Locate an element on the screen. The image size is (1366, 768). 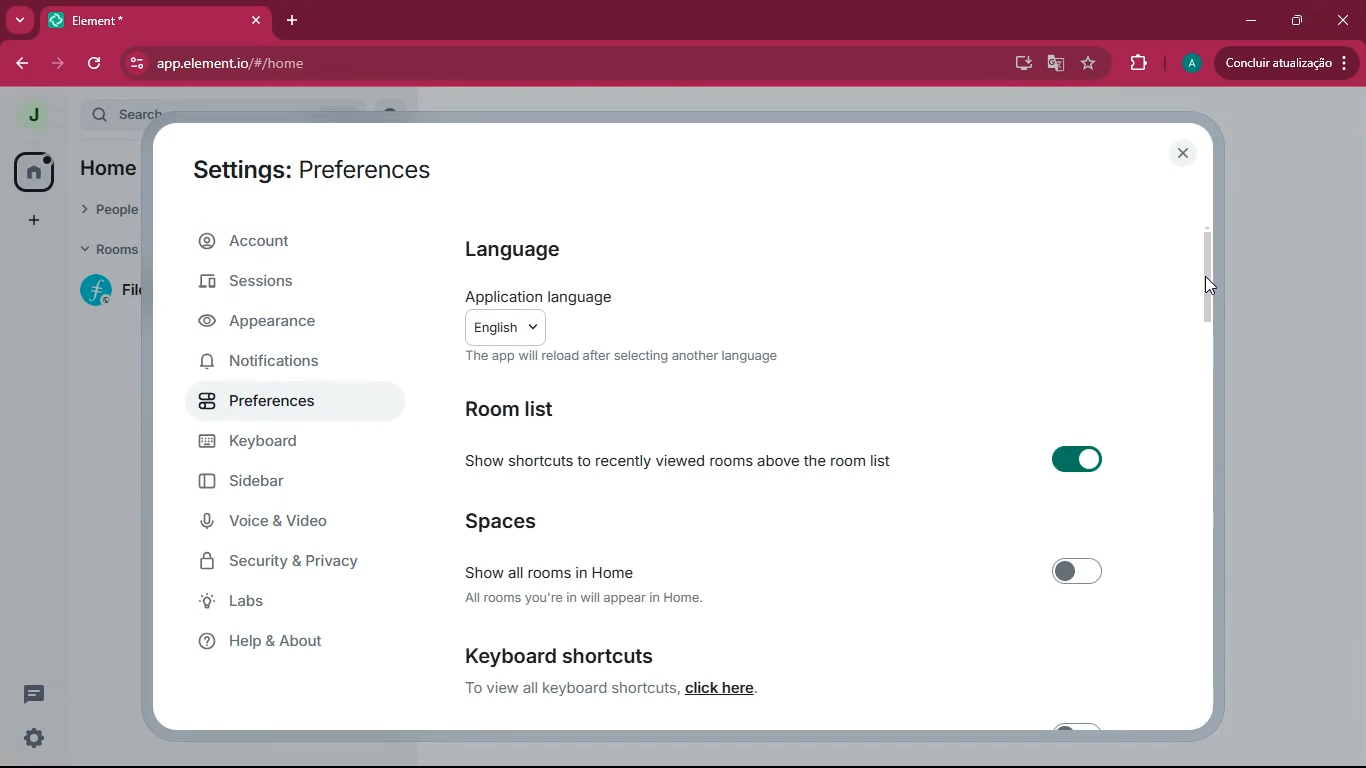
account is located at coordinates (277, 245).